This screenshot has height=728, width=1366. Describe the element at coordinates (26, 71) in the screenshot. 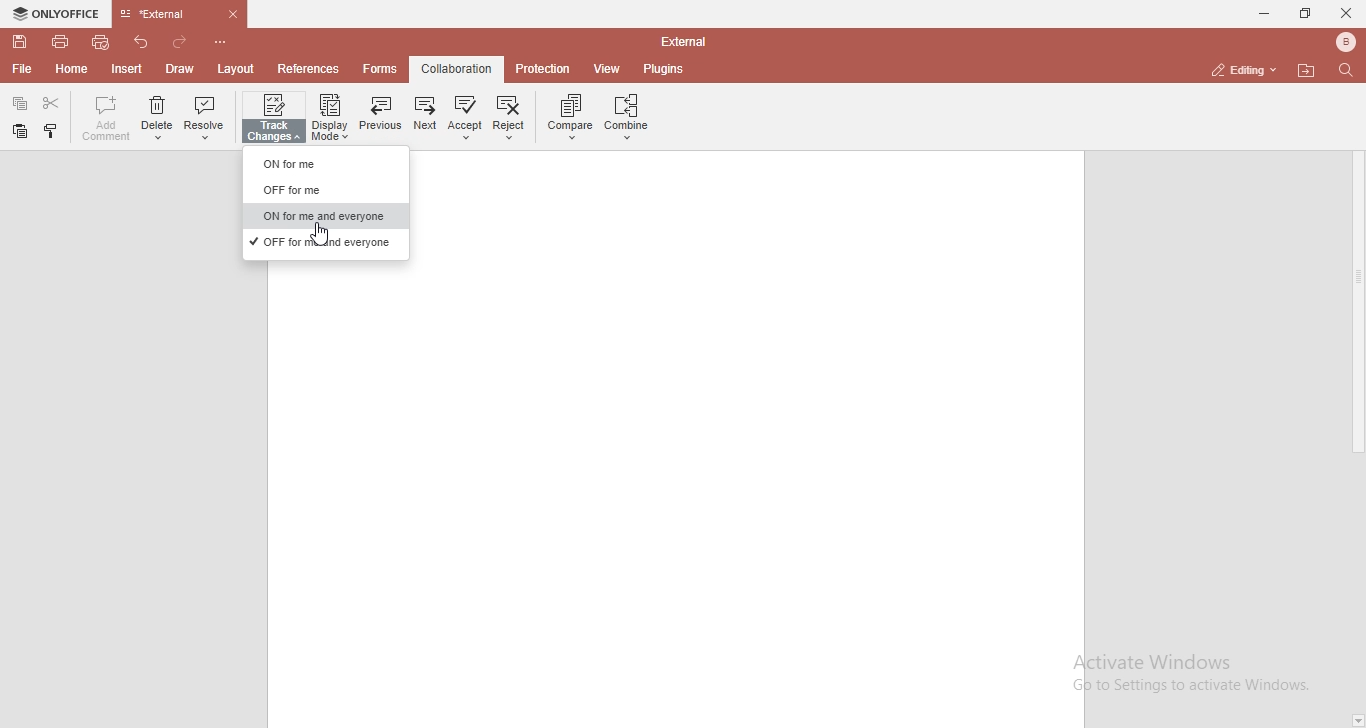

I see `file` at that location.